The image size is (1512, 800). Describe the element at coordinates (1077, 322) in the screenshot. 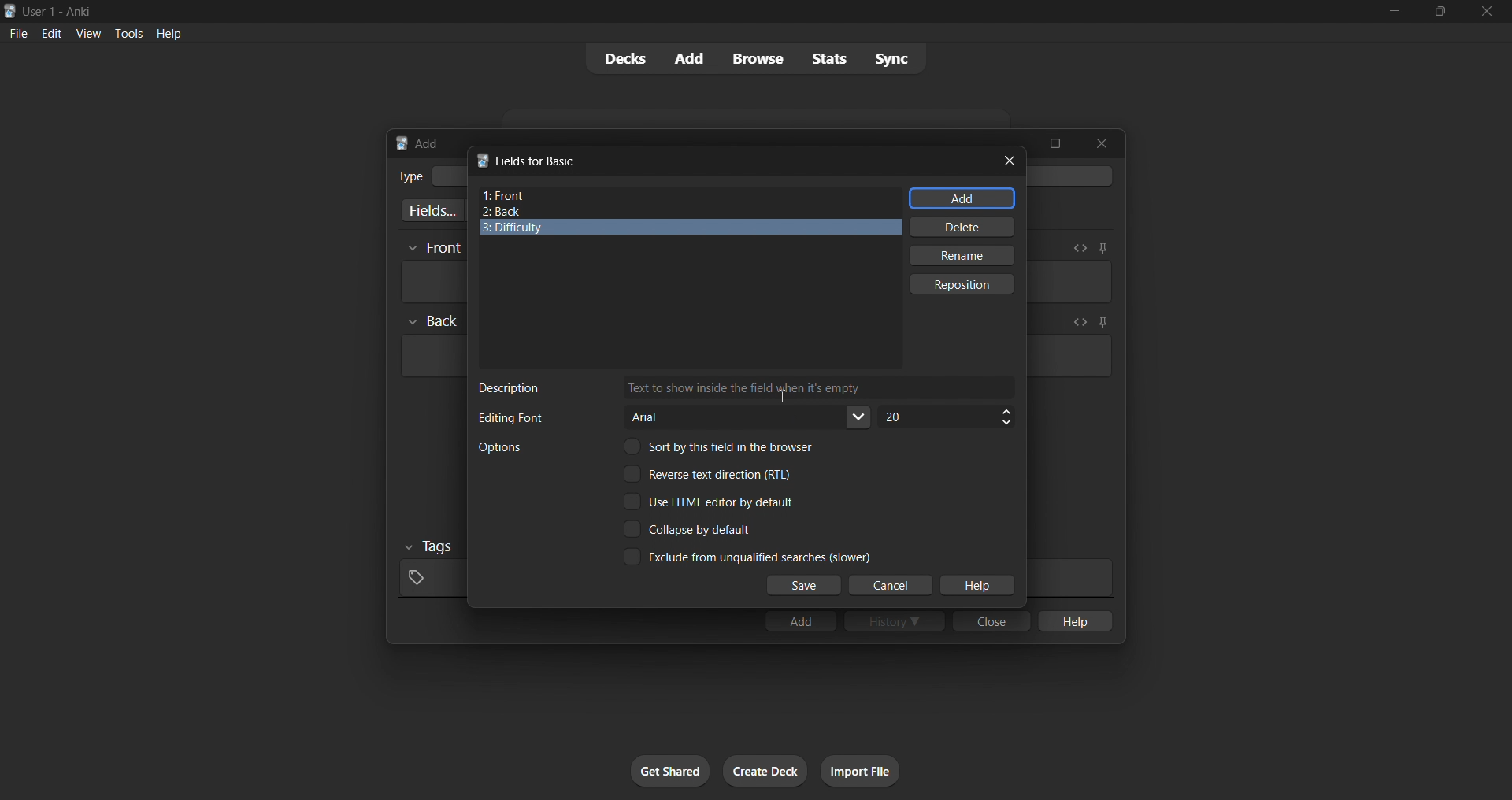

I see `Toggle HTML editor` at that location.